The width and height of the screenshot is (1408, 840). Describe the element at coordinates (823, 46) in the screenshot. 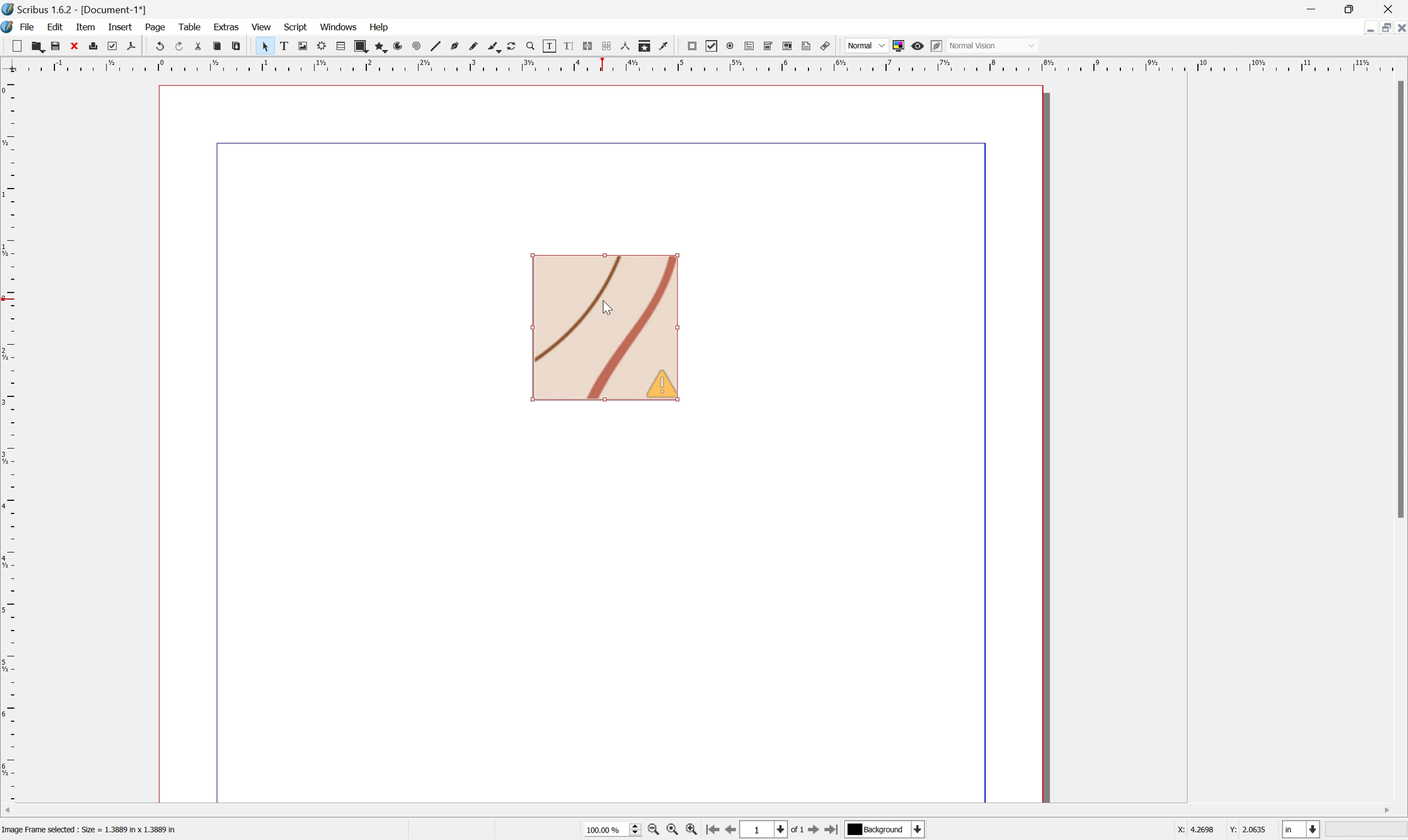

I see `Link annotation` at that location.